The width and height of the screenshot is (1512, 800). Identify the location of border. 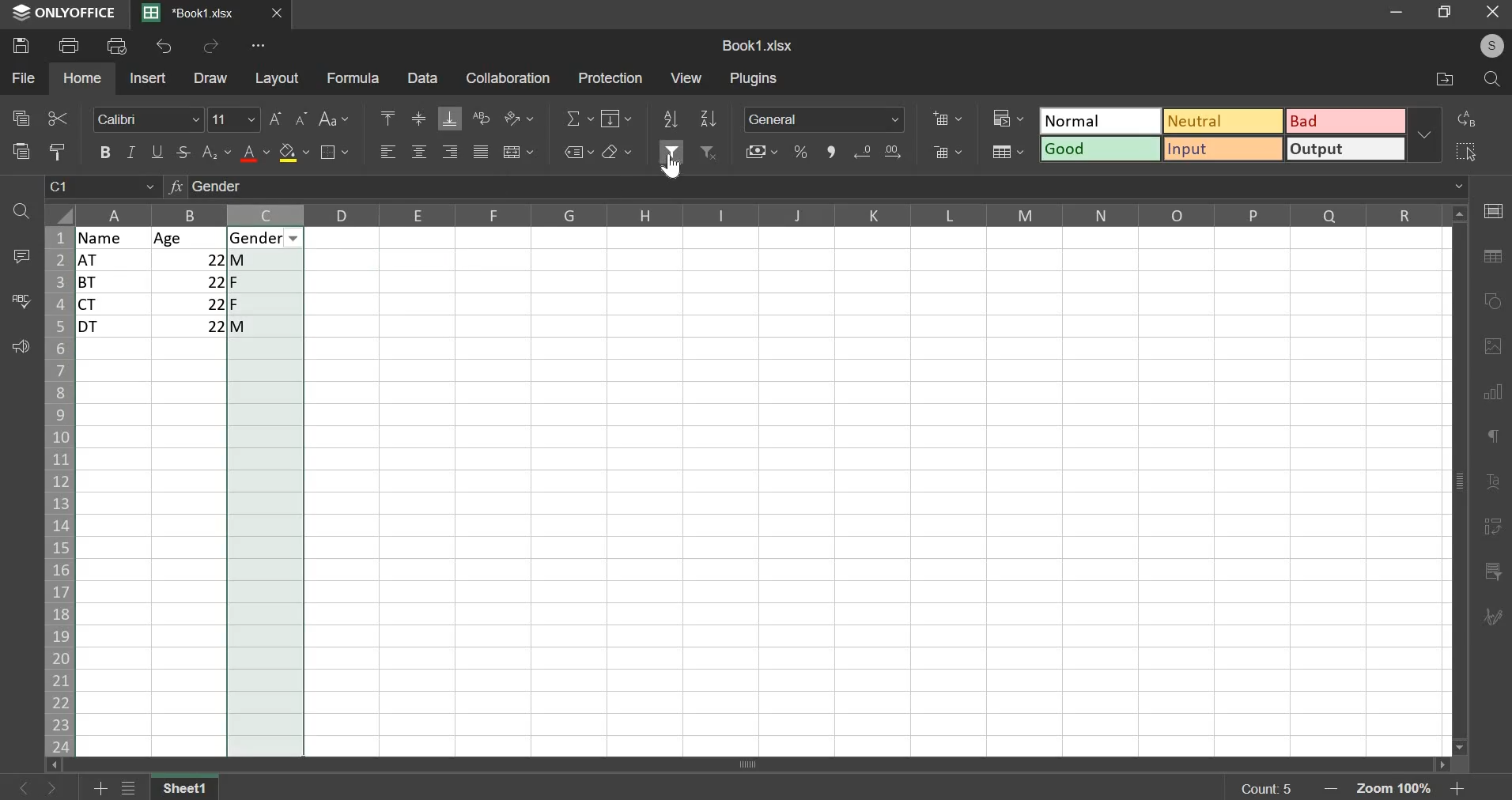
(338, 153).